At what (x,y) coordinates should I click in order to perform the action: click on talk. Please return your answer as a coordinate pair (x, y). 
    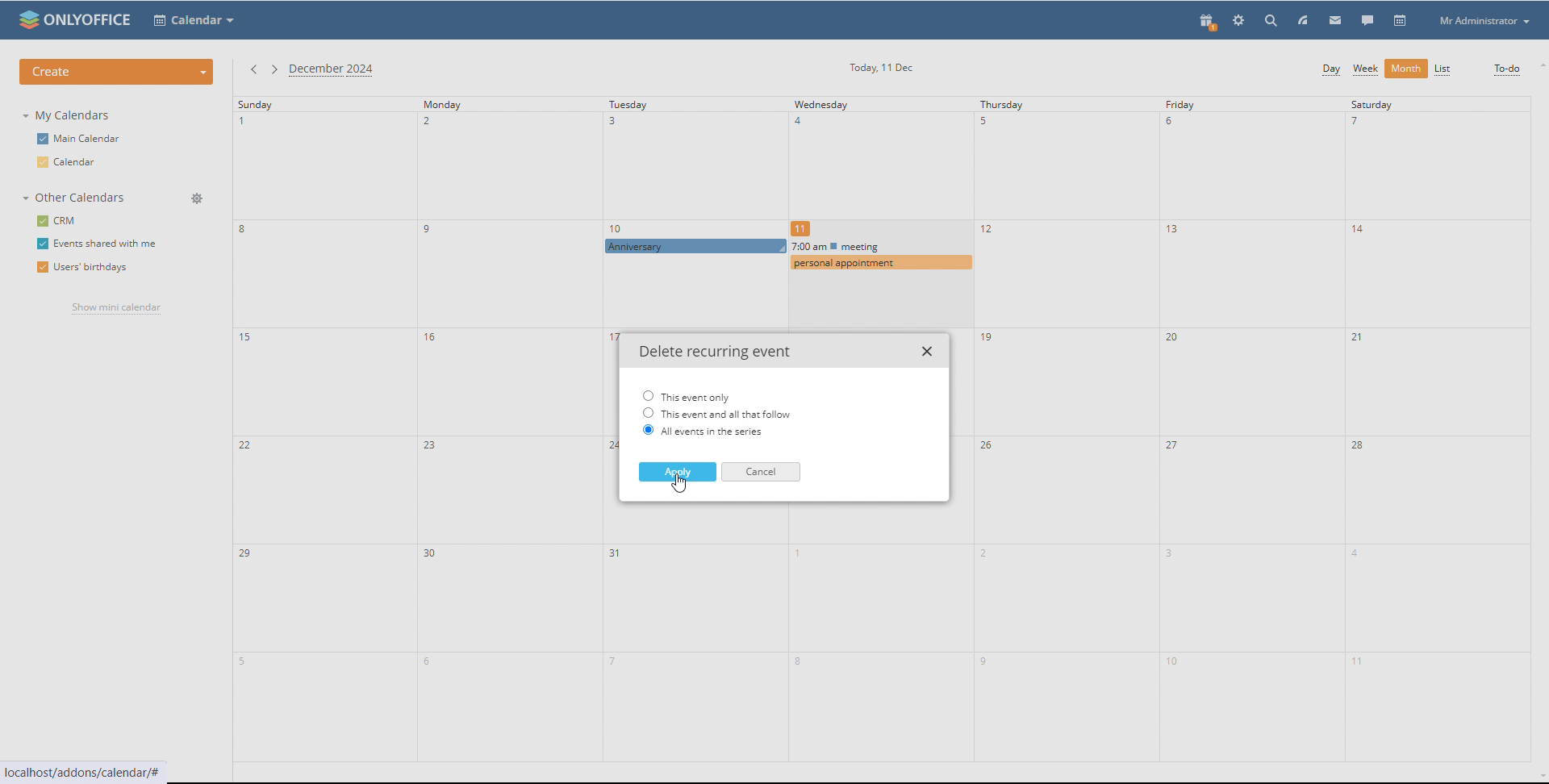
    Looking at the image, I should click on (1368, 20).